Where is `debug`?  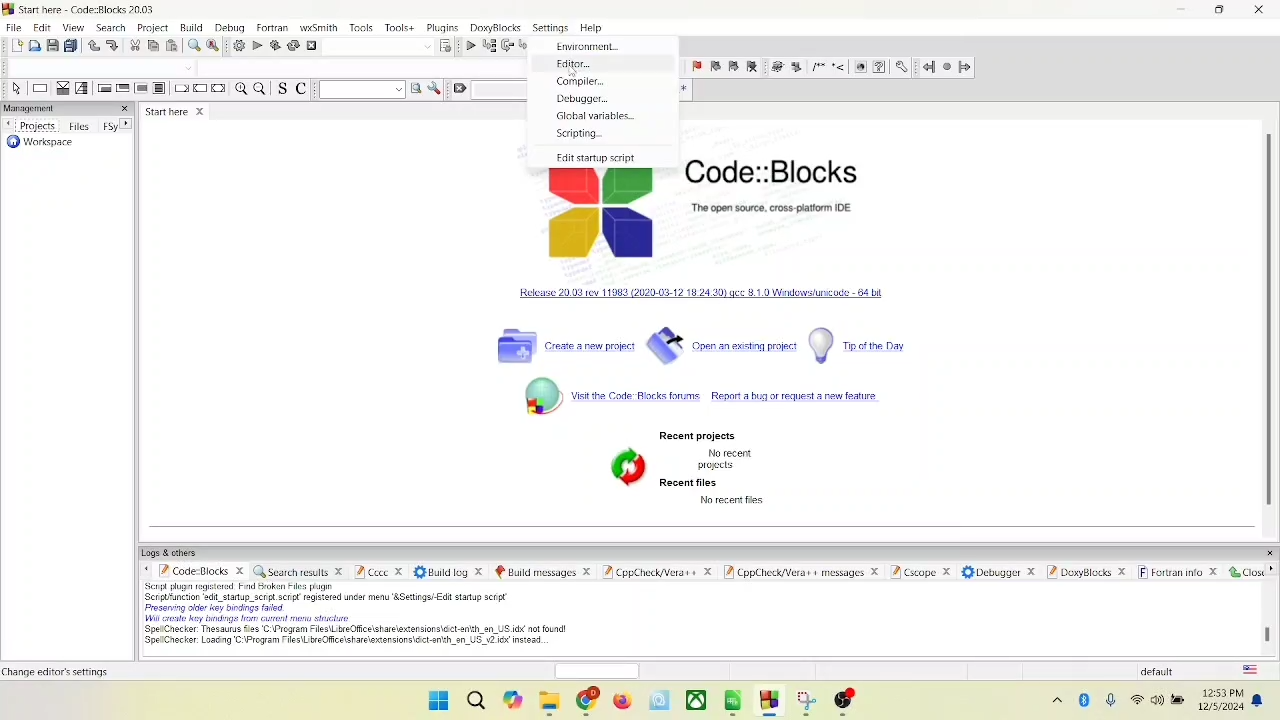 debug is located at coordinates (230, 26).